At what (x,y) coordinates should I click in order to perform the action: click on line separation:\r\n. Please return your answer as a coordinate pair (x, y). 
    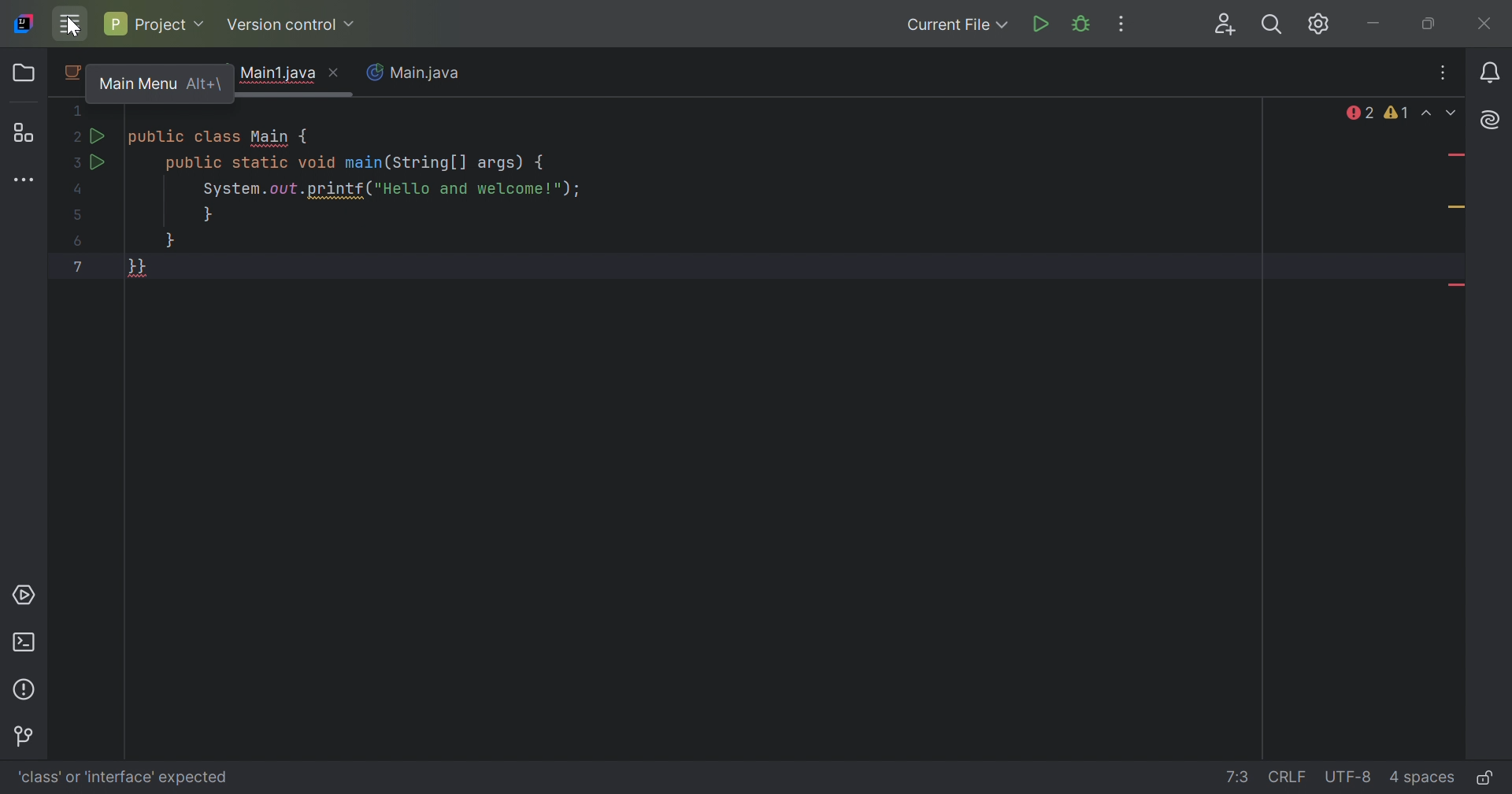
    Looking at the image, I should click on (1288, 777).